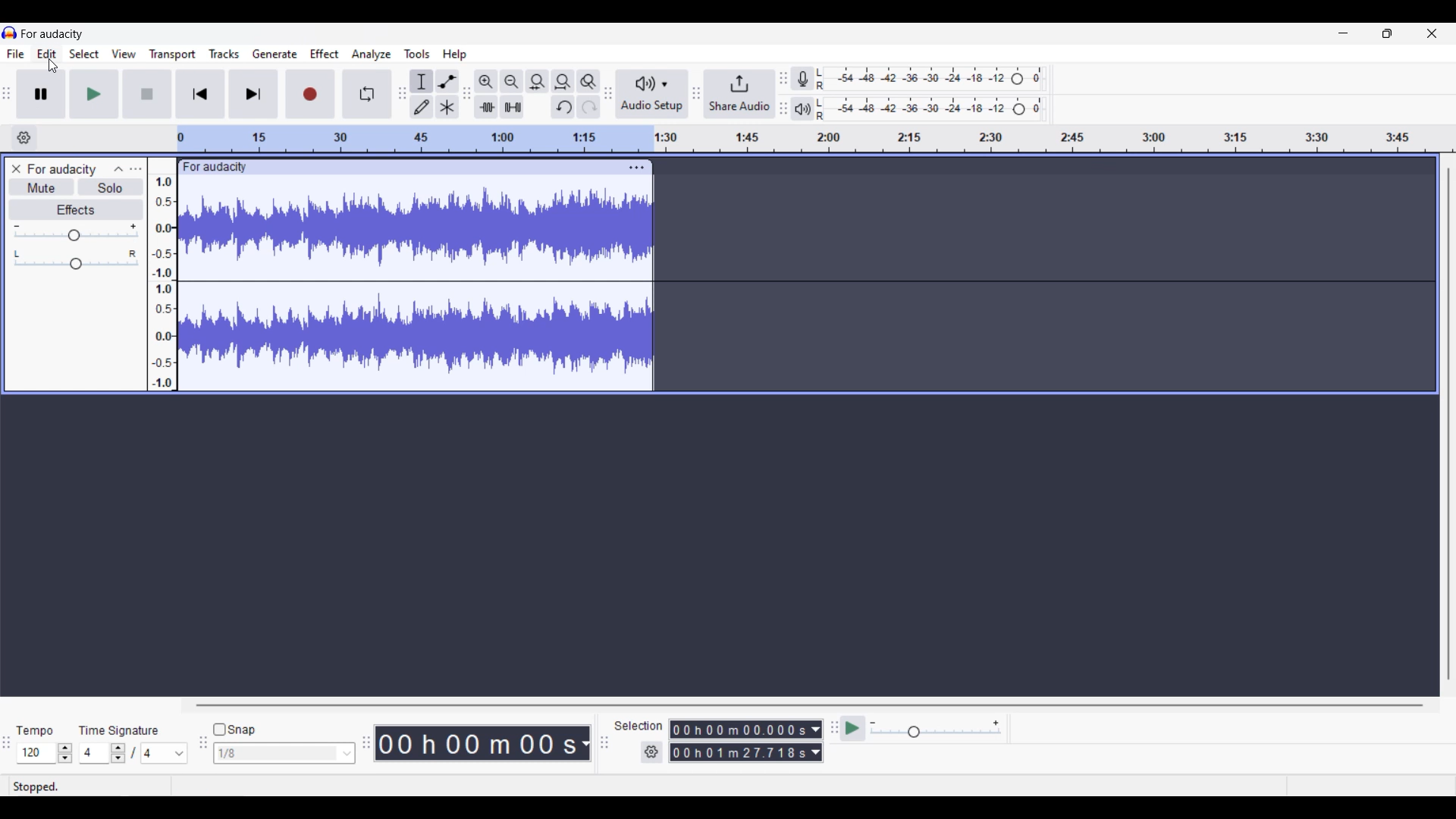 The height and width of the screenshot is (819, 1456). What do you see at coordinates (588, 82) in the screenshot?
I see `Zoom toggle` at bounding box center [588, 82].